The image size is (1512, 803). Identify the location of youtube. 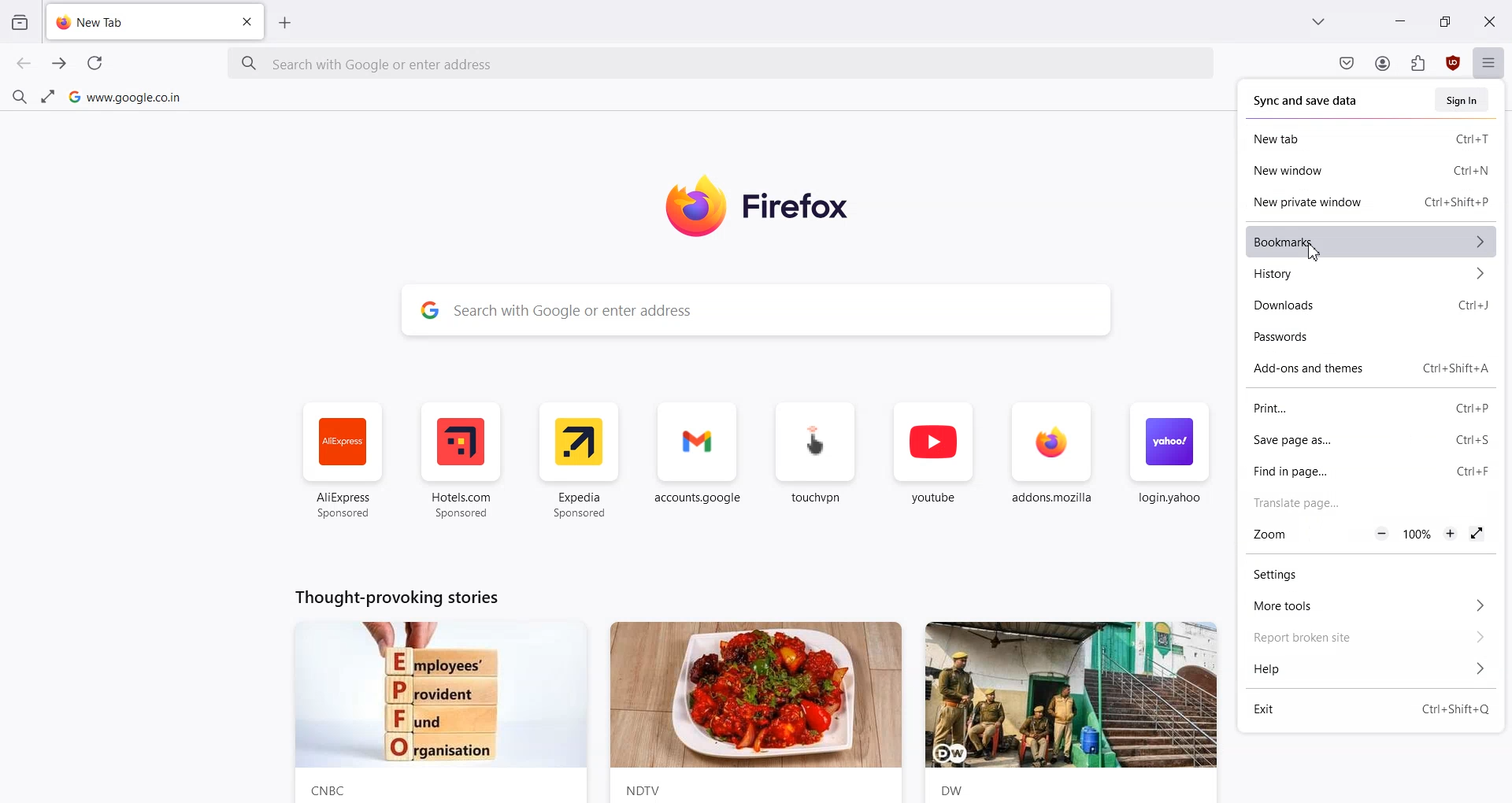
(933, 462).